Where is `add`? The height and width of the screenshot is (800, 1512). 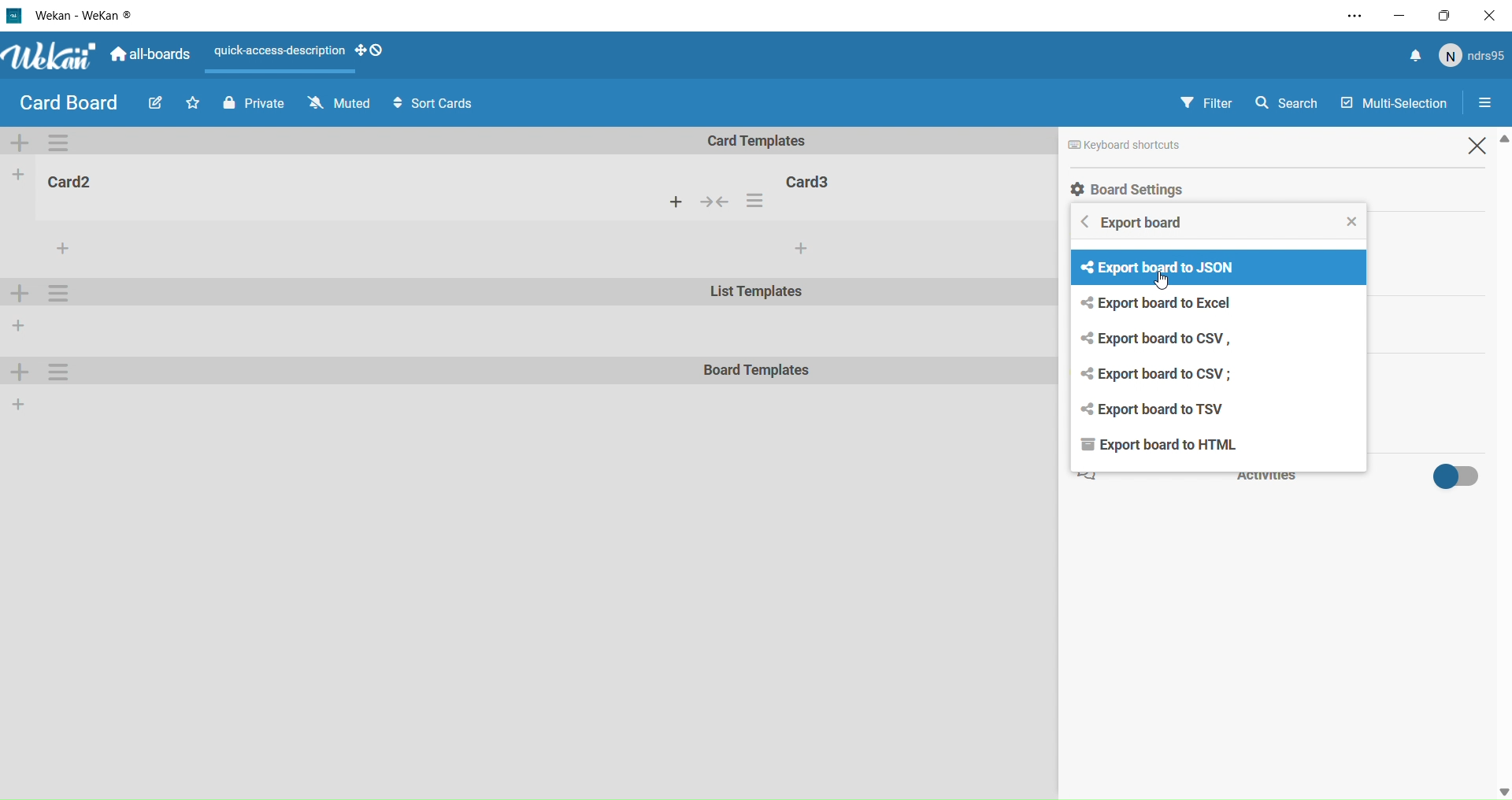
add is located at coordinates (676, 202).